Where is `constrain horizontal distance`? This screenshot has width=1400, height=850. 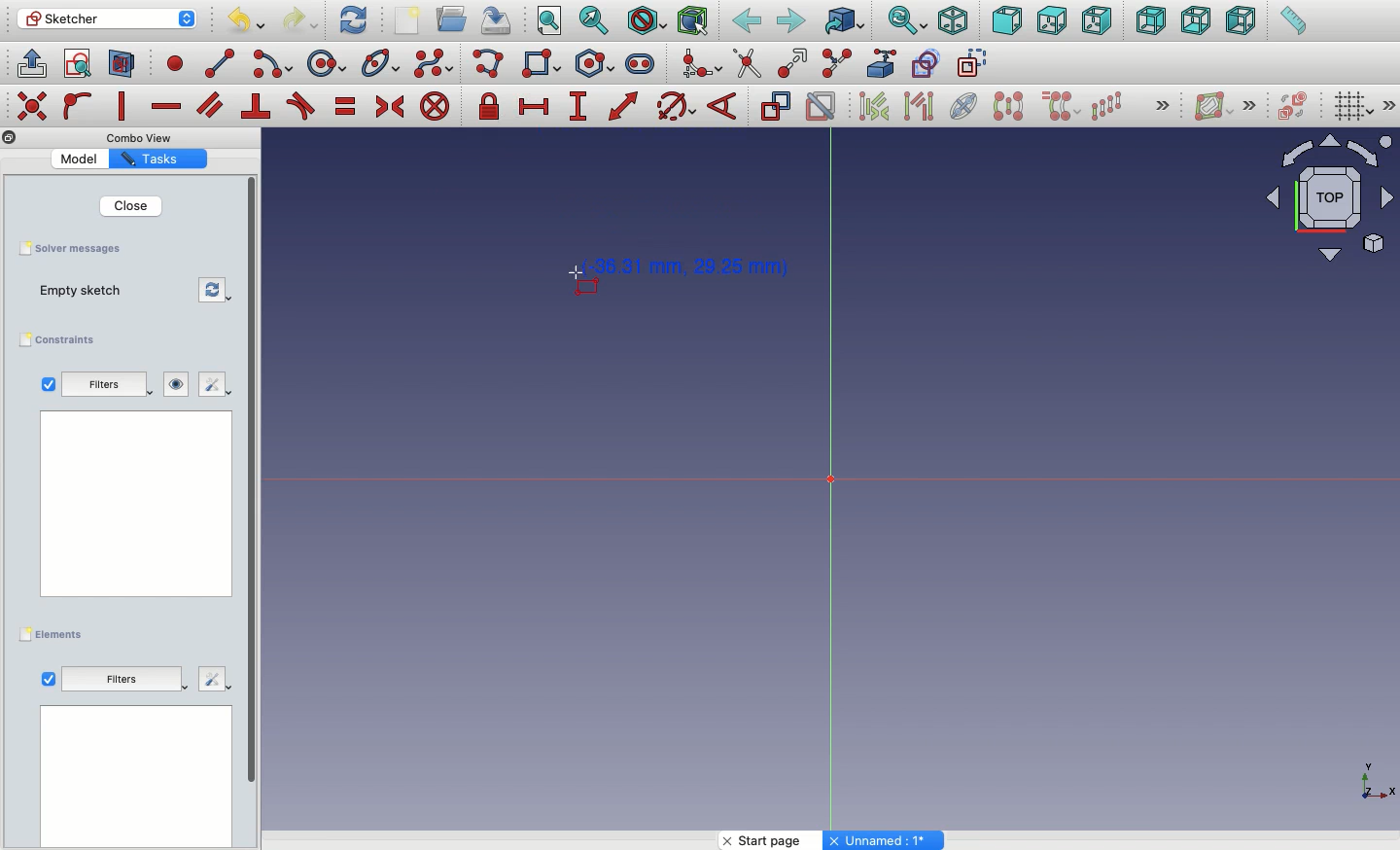 constrain horizontal distance is located at coordinates (535, 105).